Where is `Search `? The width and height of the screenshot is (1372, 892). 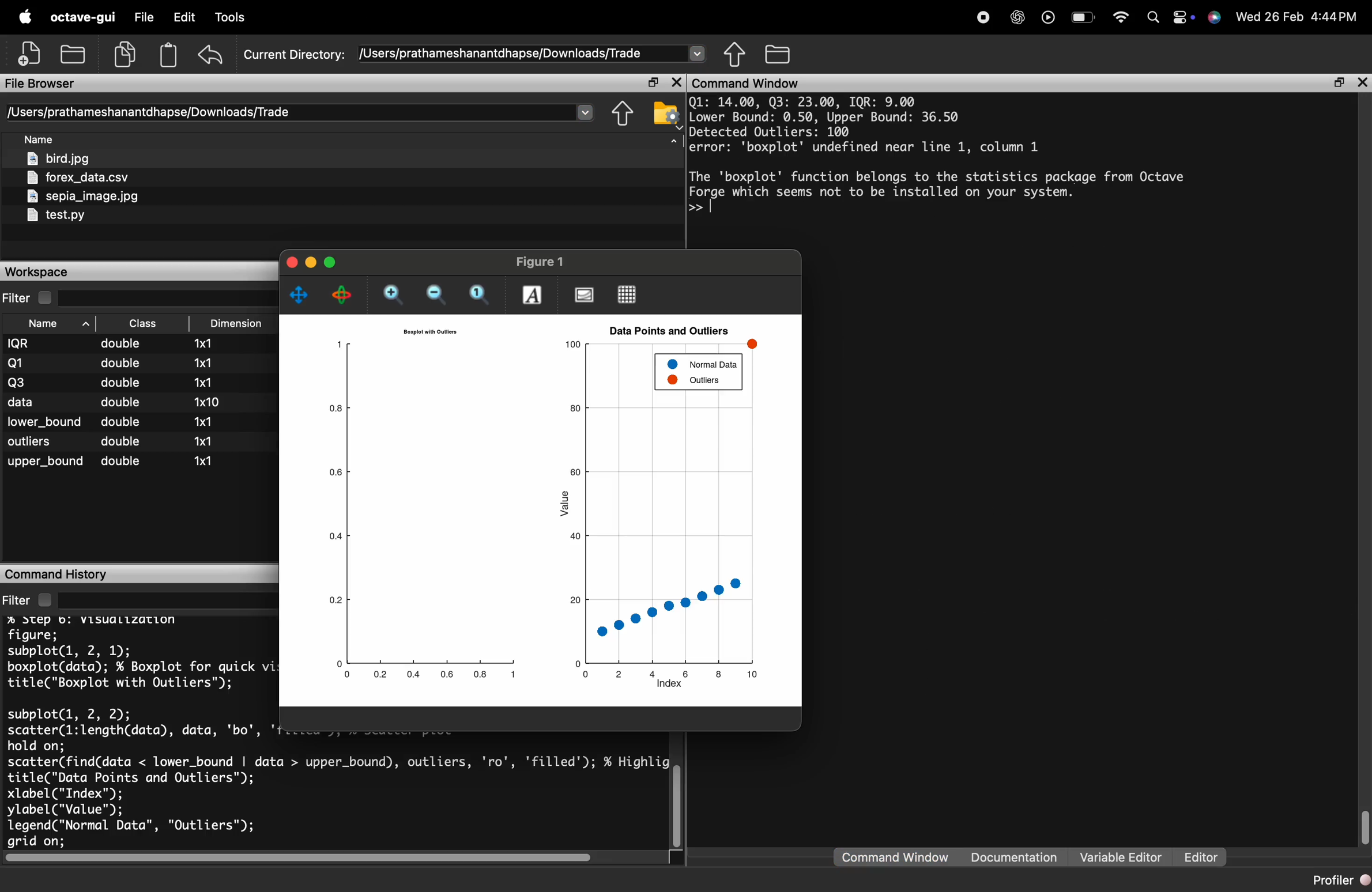
Search  is located at coordinates (1154, 18).